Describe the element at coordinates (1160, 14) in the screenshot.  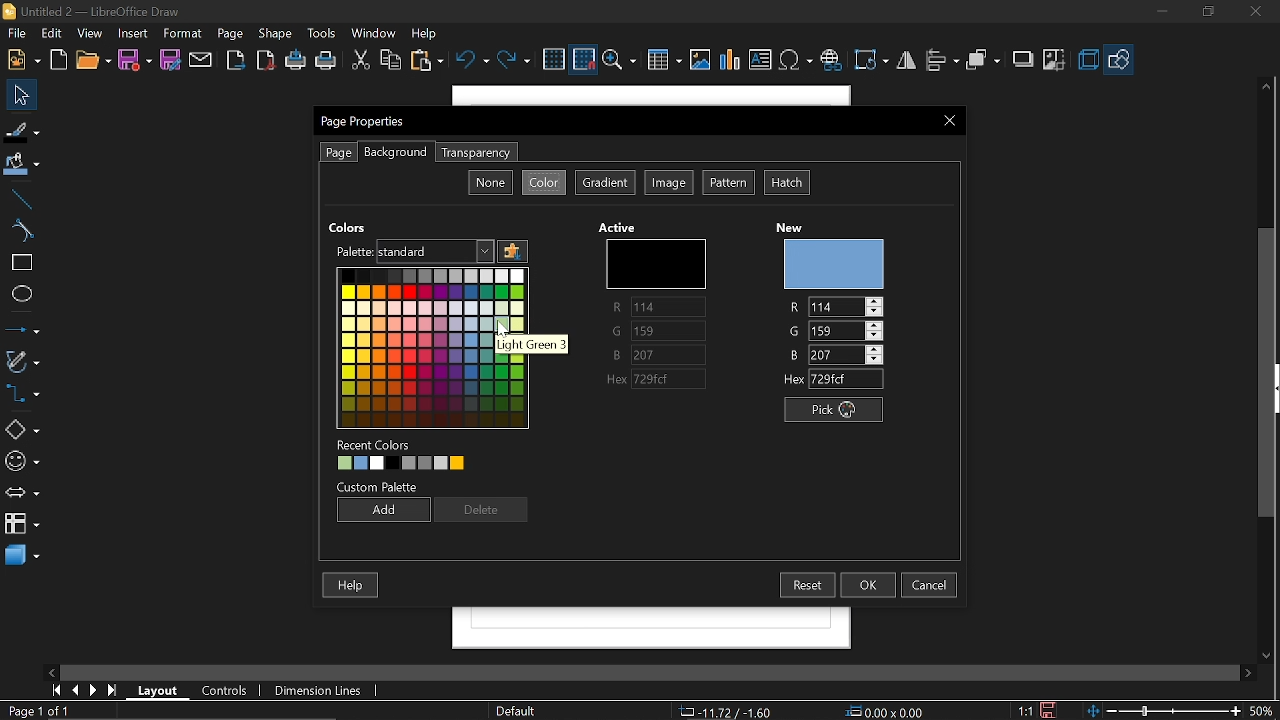
I see `Miniimize` at that location.